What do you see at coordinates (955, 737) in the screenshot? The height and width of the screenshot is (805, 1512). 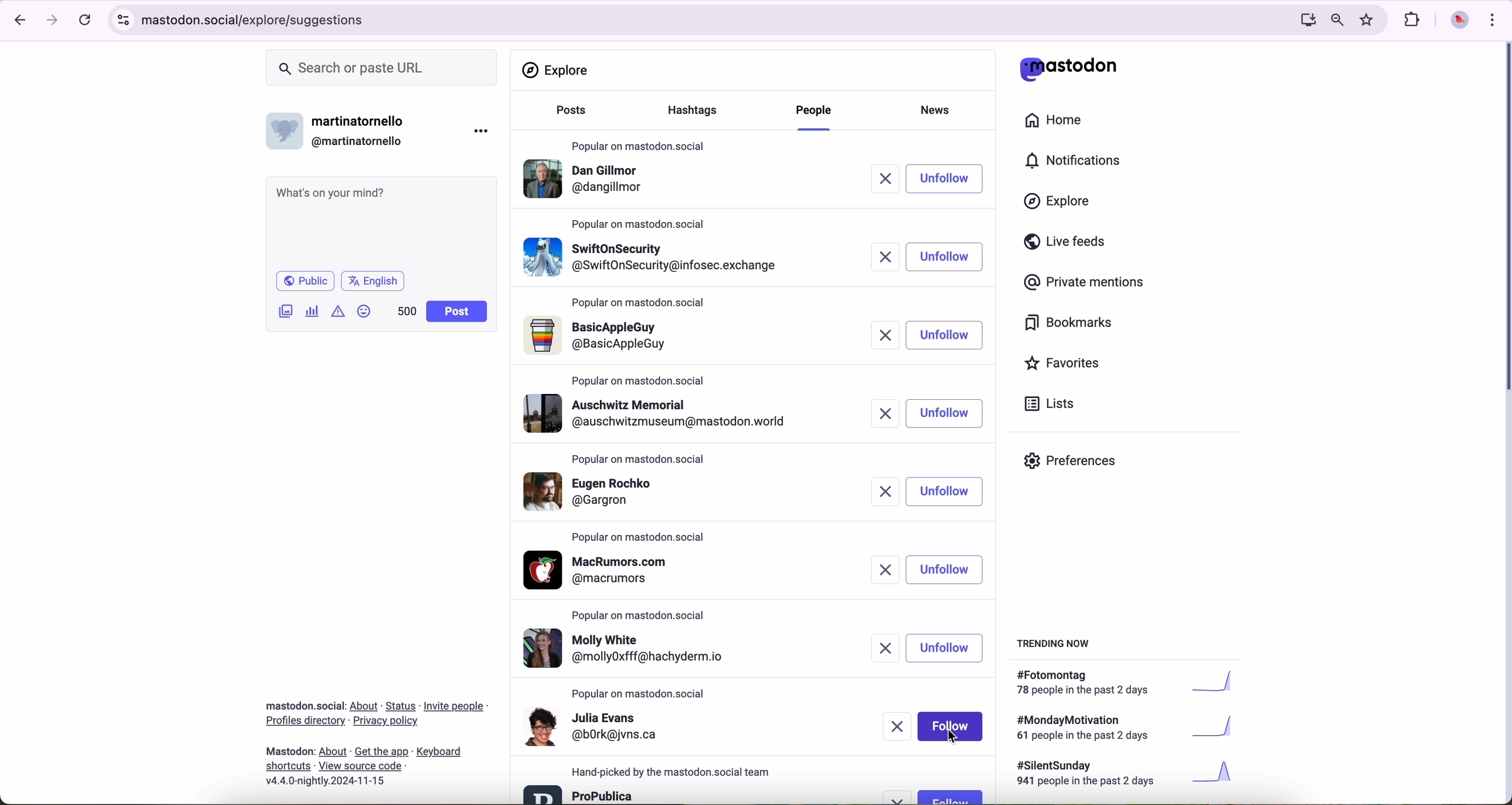 I see `cursor` at bounding box center [955, 737].